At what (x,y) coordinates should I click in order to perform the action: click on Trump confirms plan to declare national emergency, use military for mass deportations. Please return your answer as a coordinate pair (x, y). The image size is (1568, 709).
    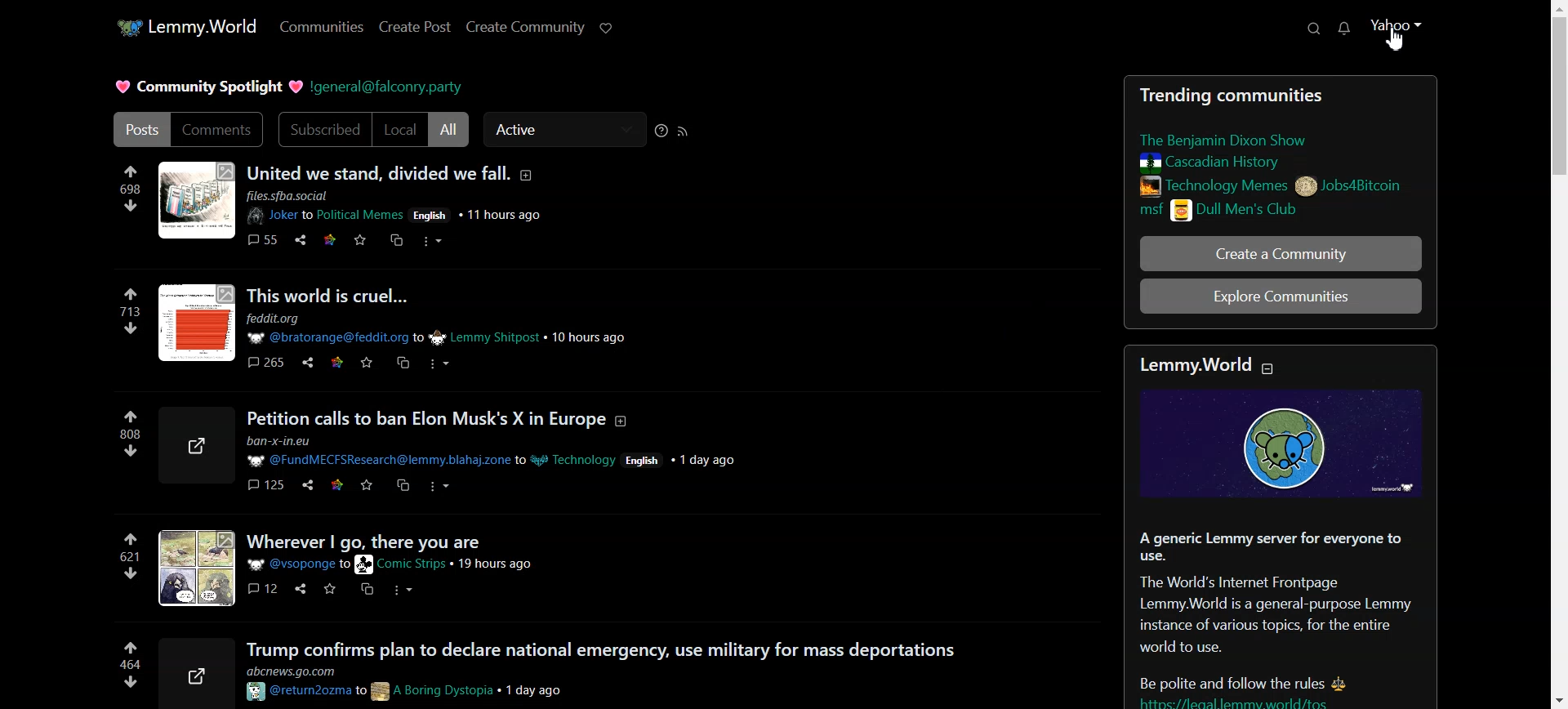
    Looking at the image, I should click on (599, 649).